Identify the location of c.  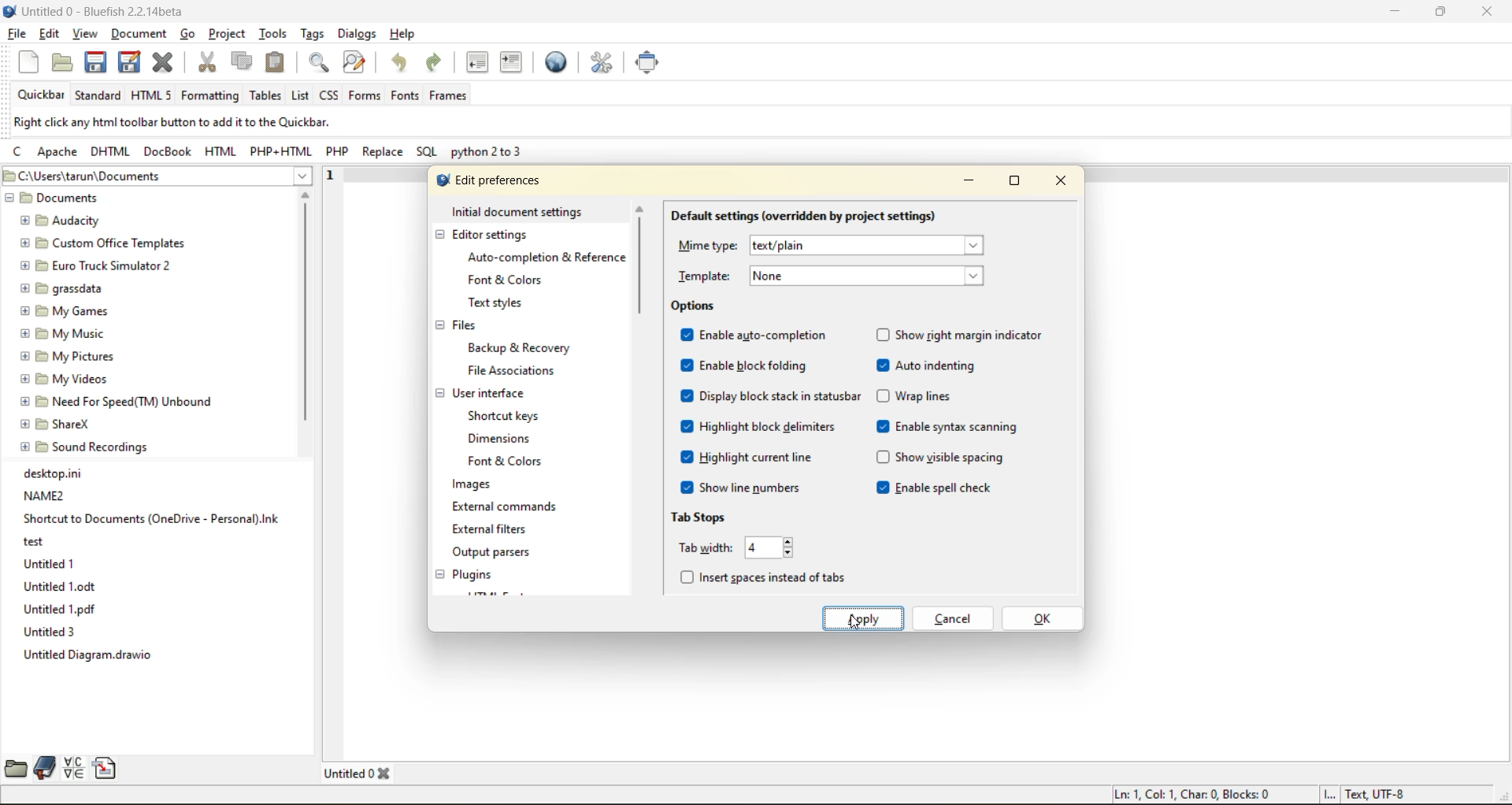
(22, 154).